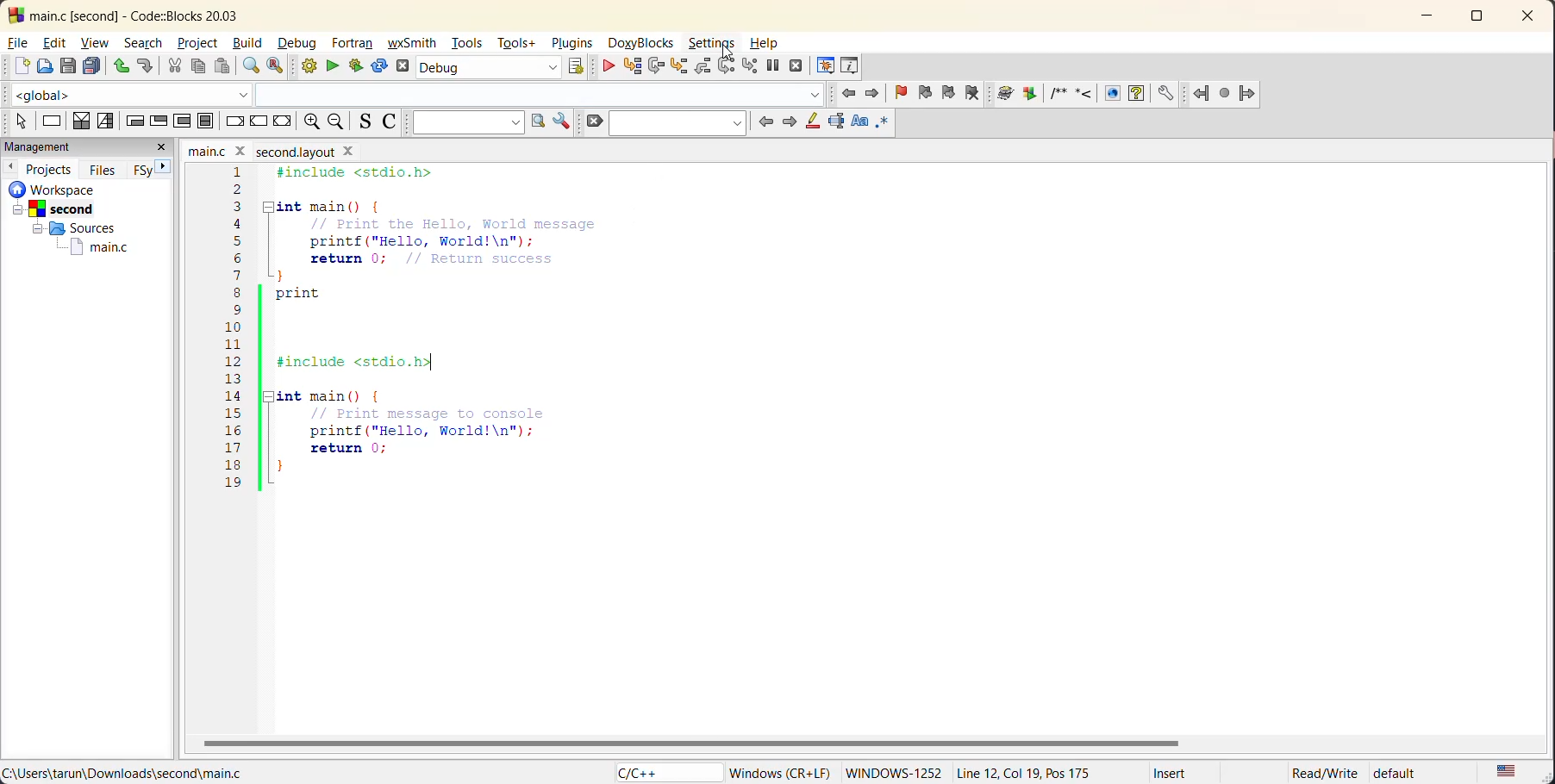  What do you see at coordinates (730, 52) in the screenshot?
I see `cursor` at bounding box center [730, 52].